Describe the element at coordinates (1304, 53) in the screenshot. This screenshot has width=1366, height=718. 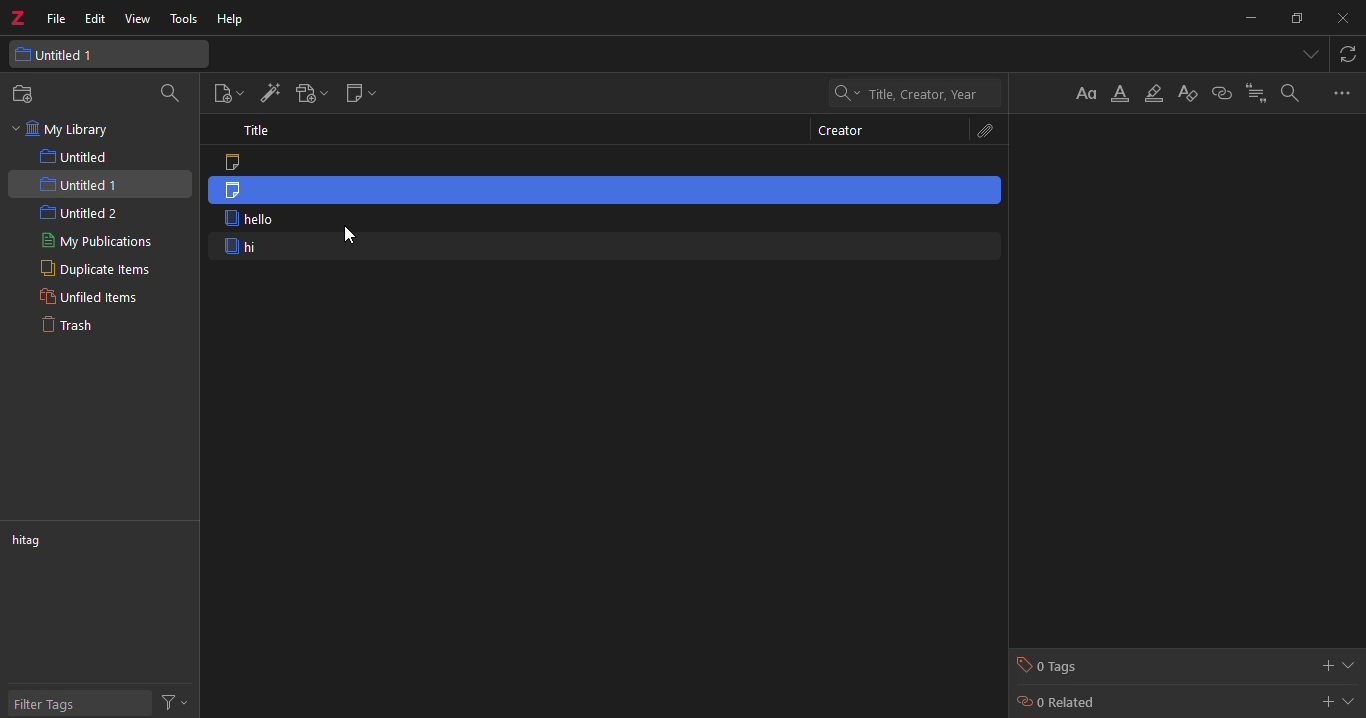
I see `tab` at that location.